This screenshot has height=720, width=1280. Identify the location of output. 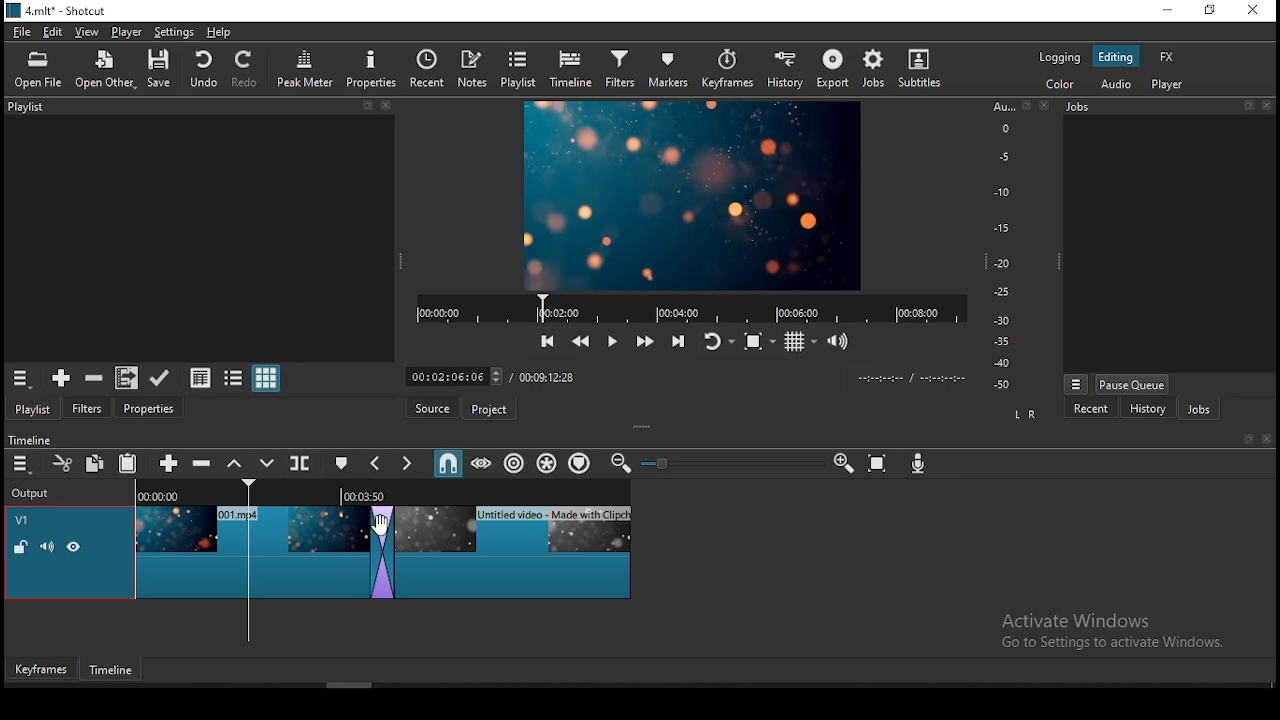
(33, 494).